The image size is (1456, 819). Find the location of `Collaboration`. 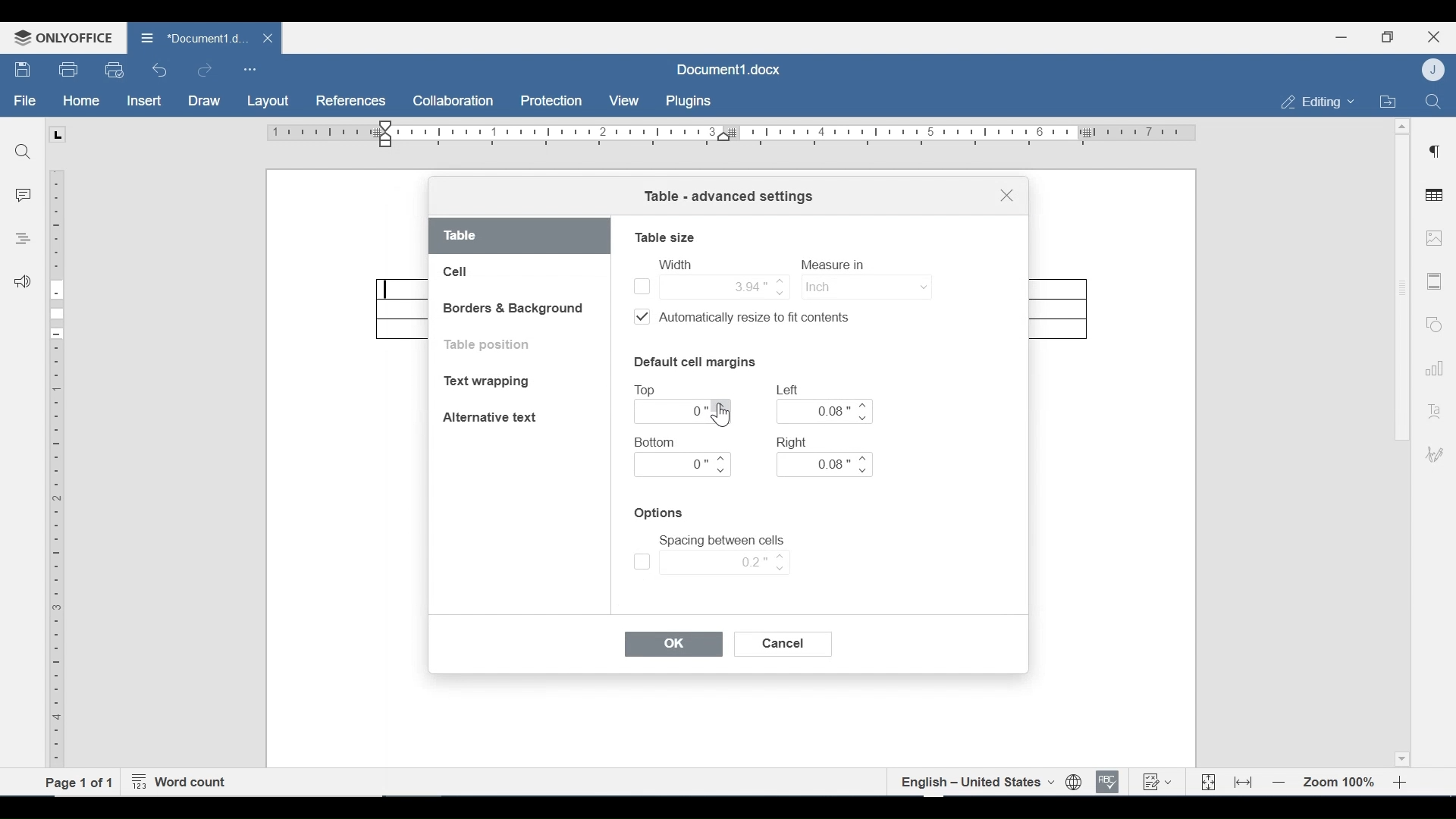

Collaboration is located at coordinates (454, 101).